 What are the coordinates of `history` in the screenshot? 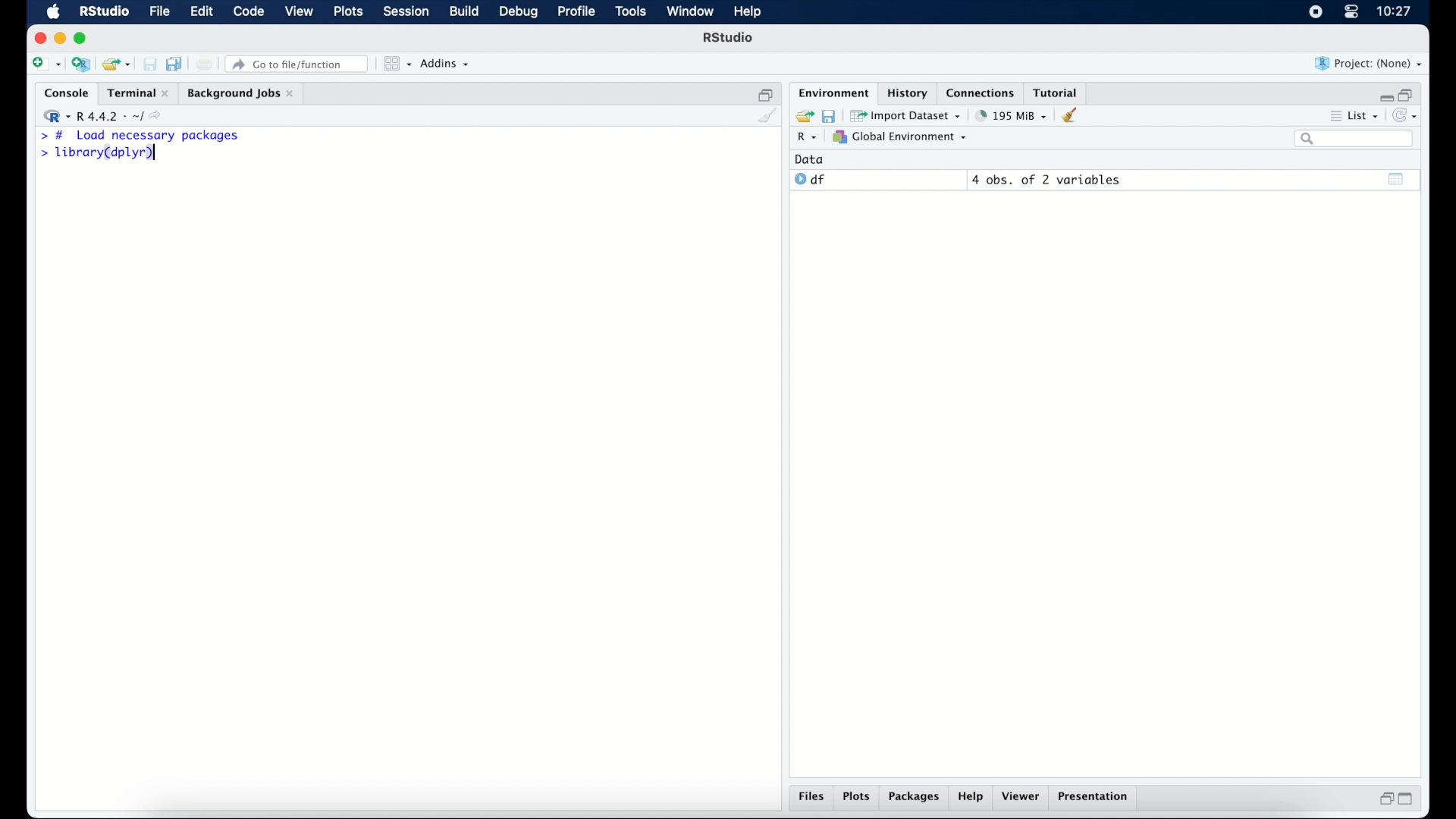 It's located at (906, 92).